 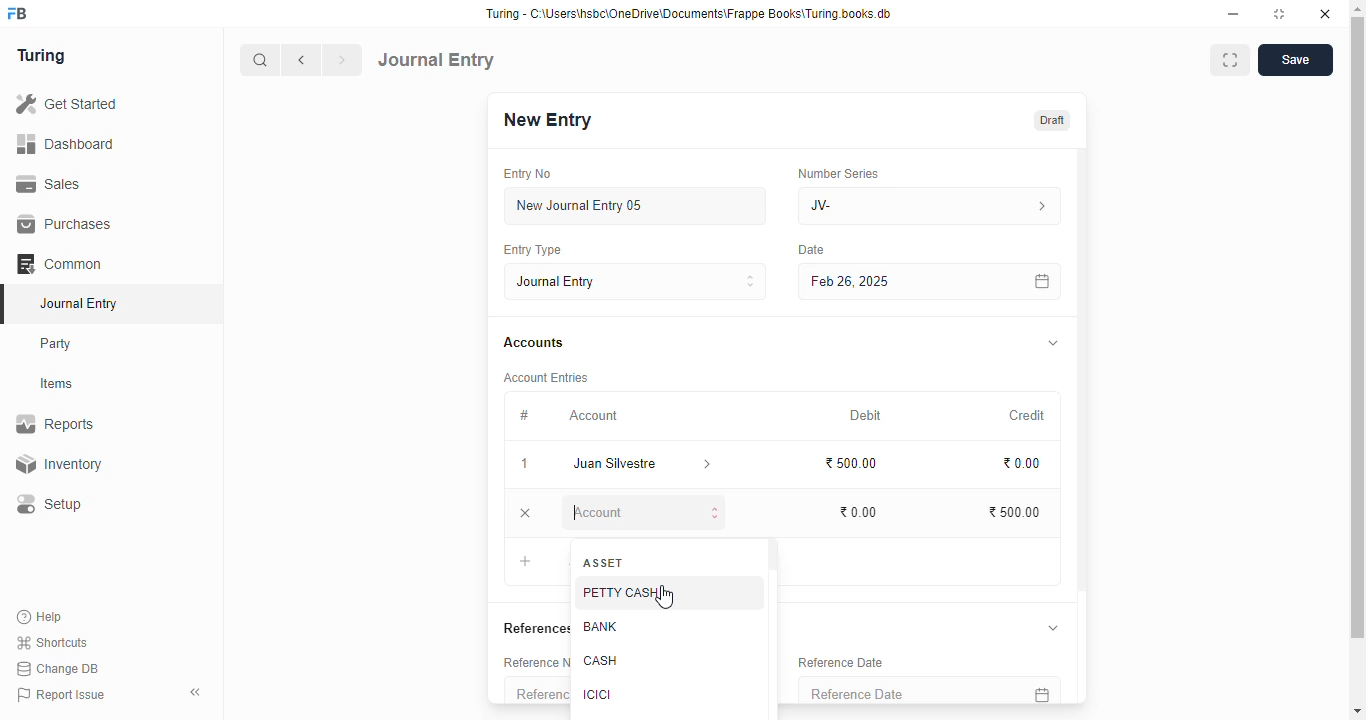 I want to click on toggle expand/collapse, so click(x=1052, y=344).